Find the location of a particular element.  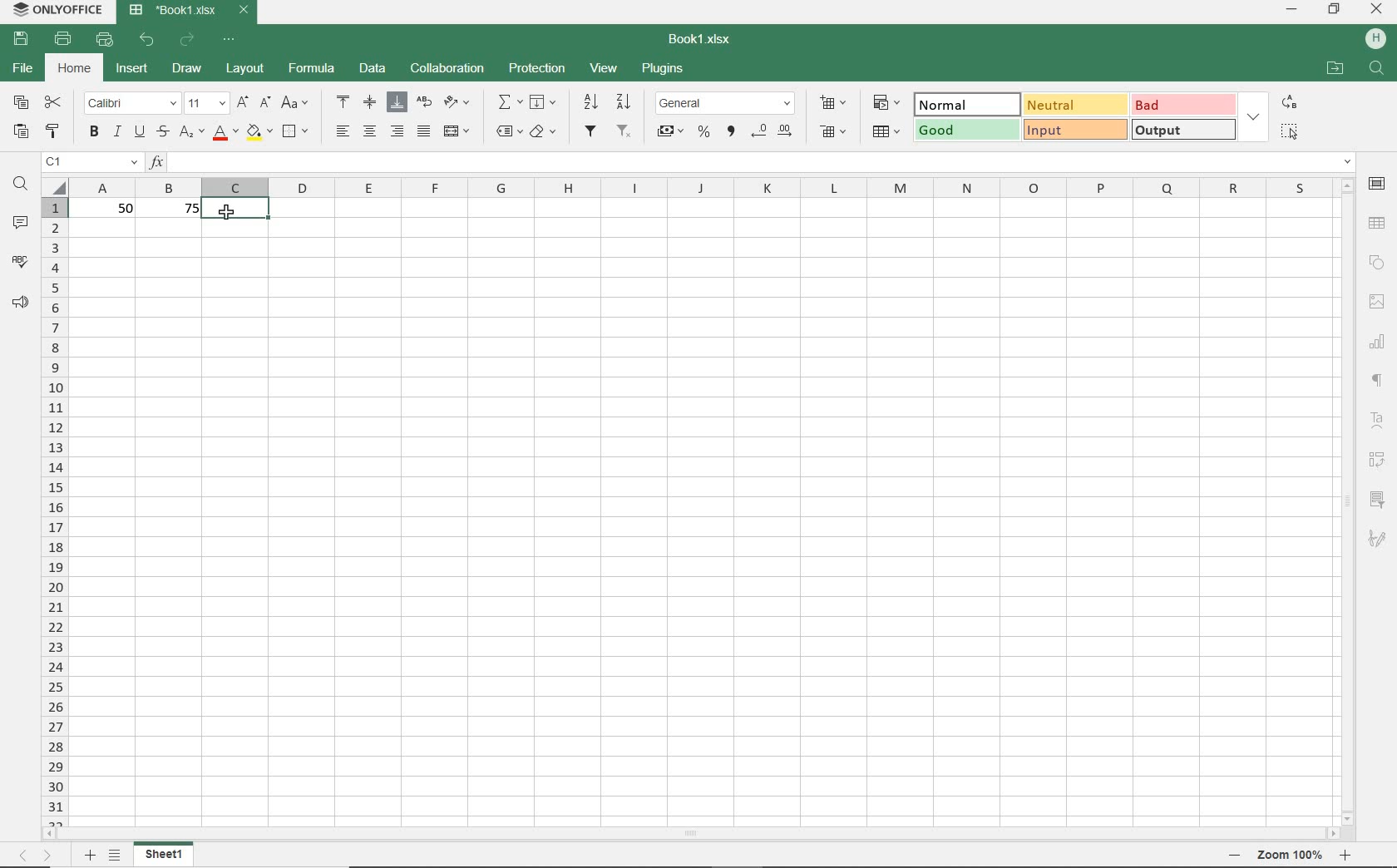

remove filter is located at coordinates (624, 132).